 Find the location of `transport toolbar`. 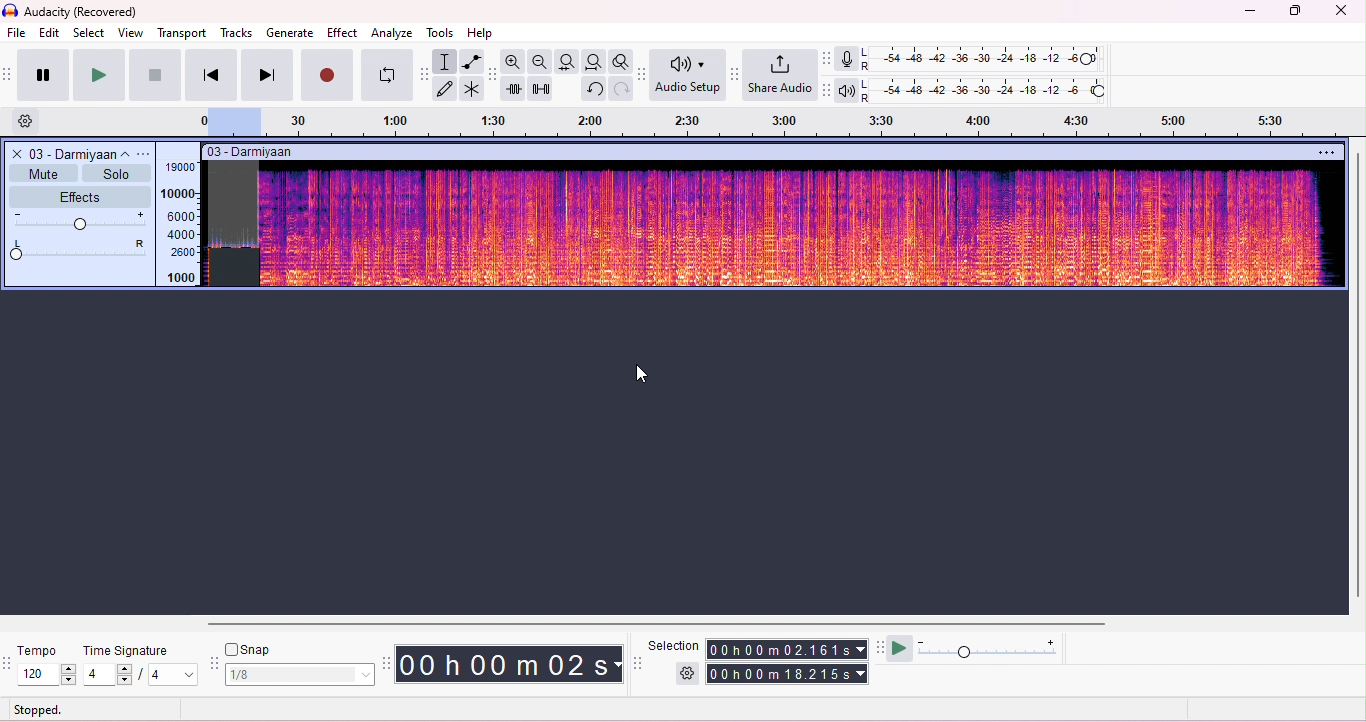

transport toolbar is located at coordinates (9, 77).